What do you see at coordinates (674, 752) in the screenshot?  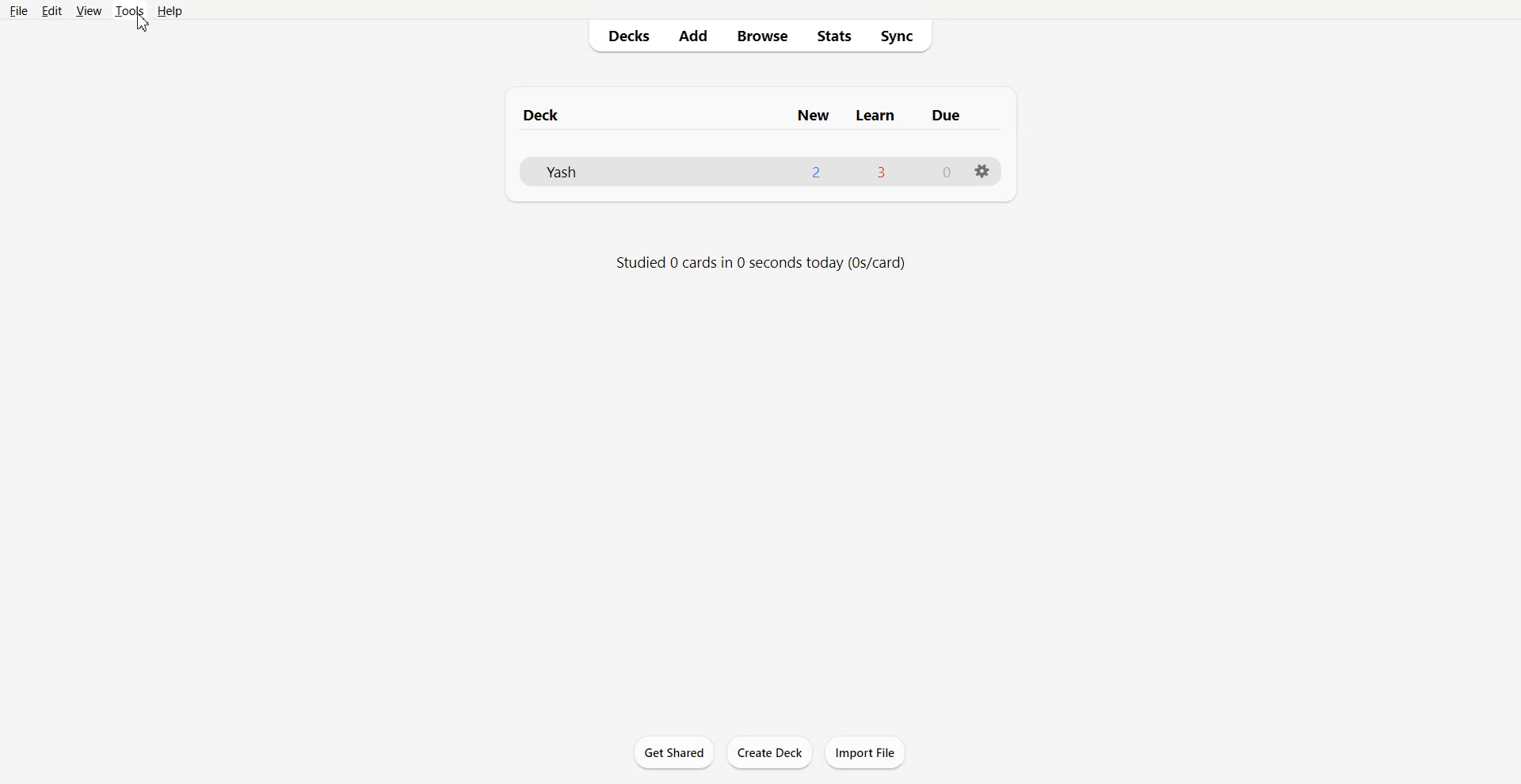 I see `Get Shared` at bounding box center [674, 752].